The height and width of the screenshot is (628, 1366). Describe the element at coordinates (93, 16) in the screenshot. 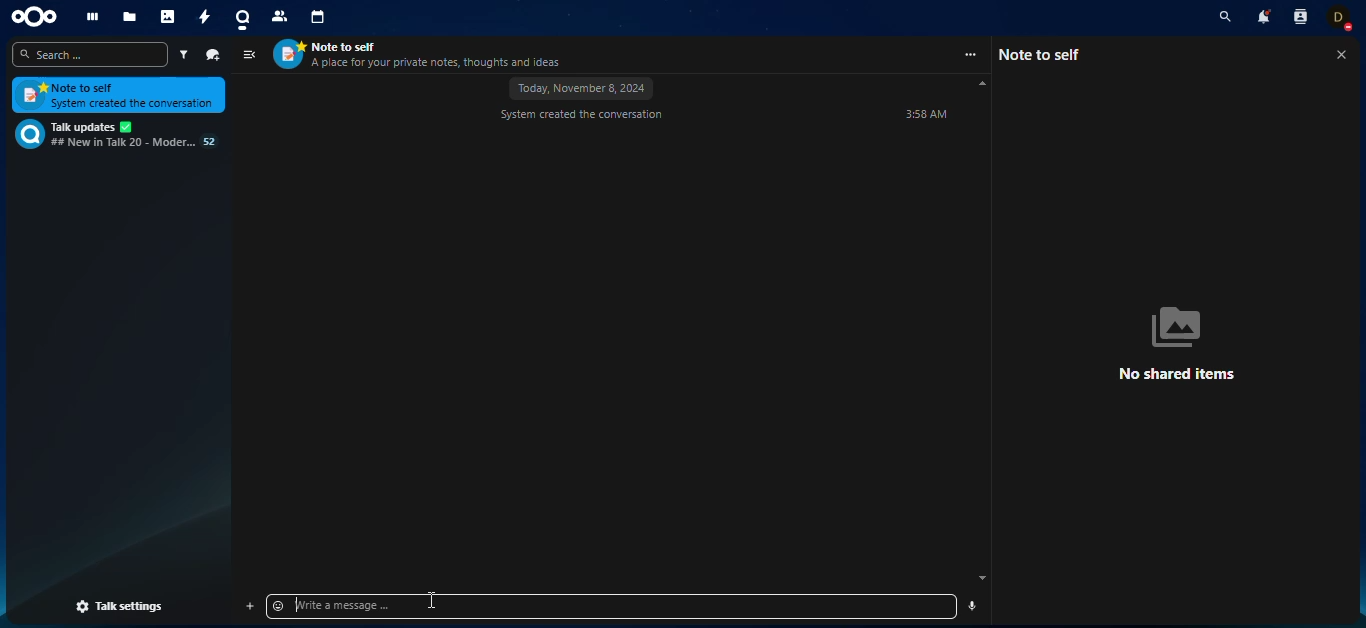

I see `dashboard` at that location.